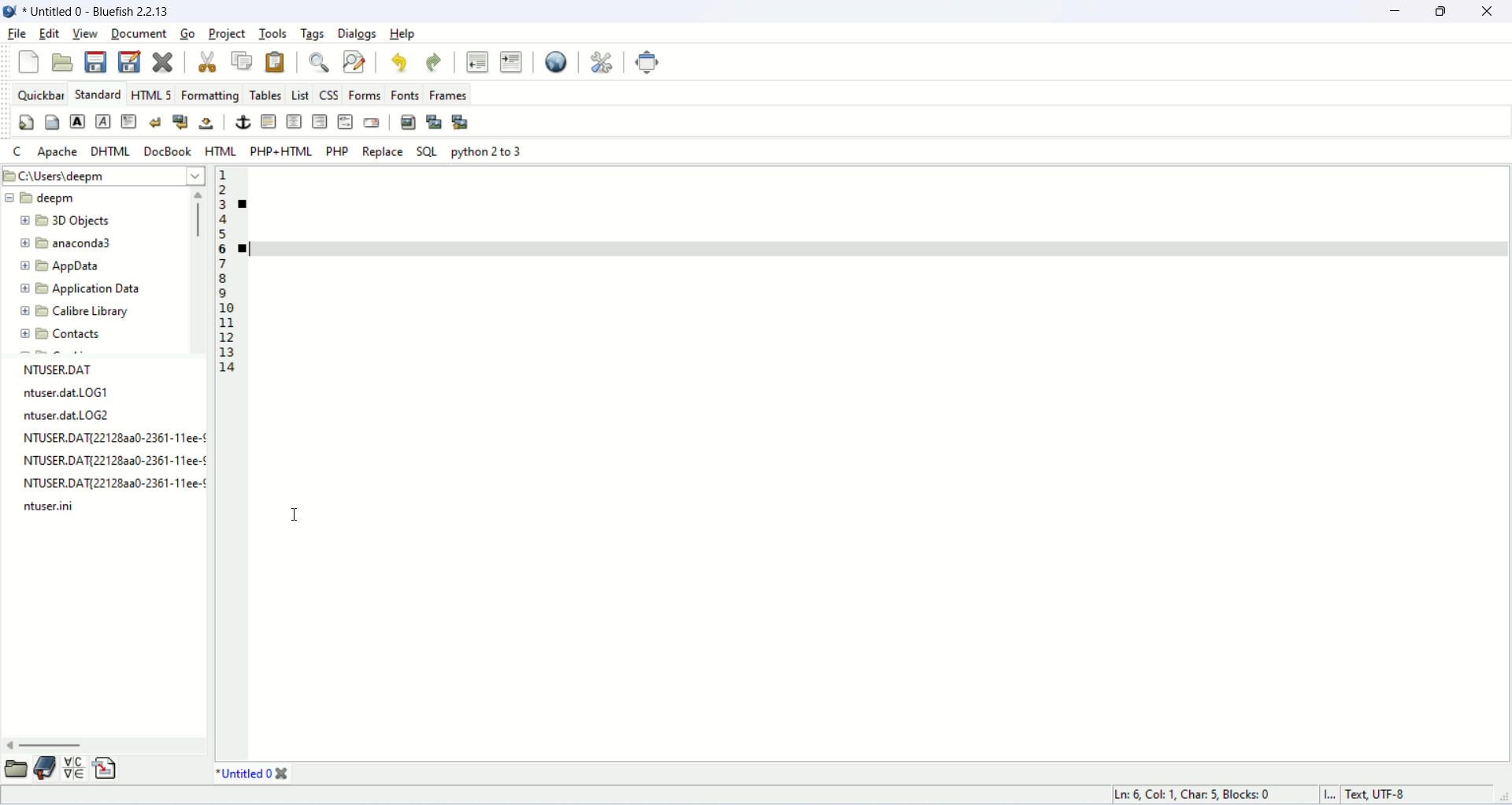 This screenshot has width=1512, height=805. Describe the element at coordinates (65, 64) in the screenshot. I see `open` at that location.